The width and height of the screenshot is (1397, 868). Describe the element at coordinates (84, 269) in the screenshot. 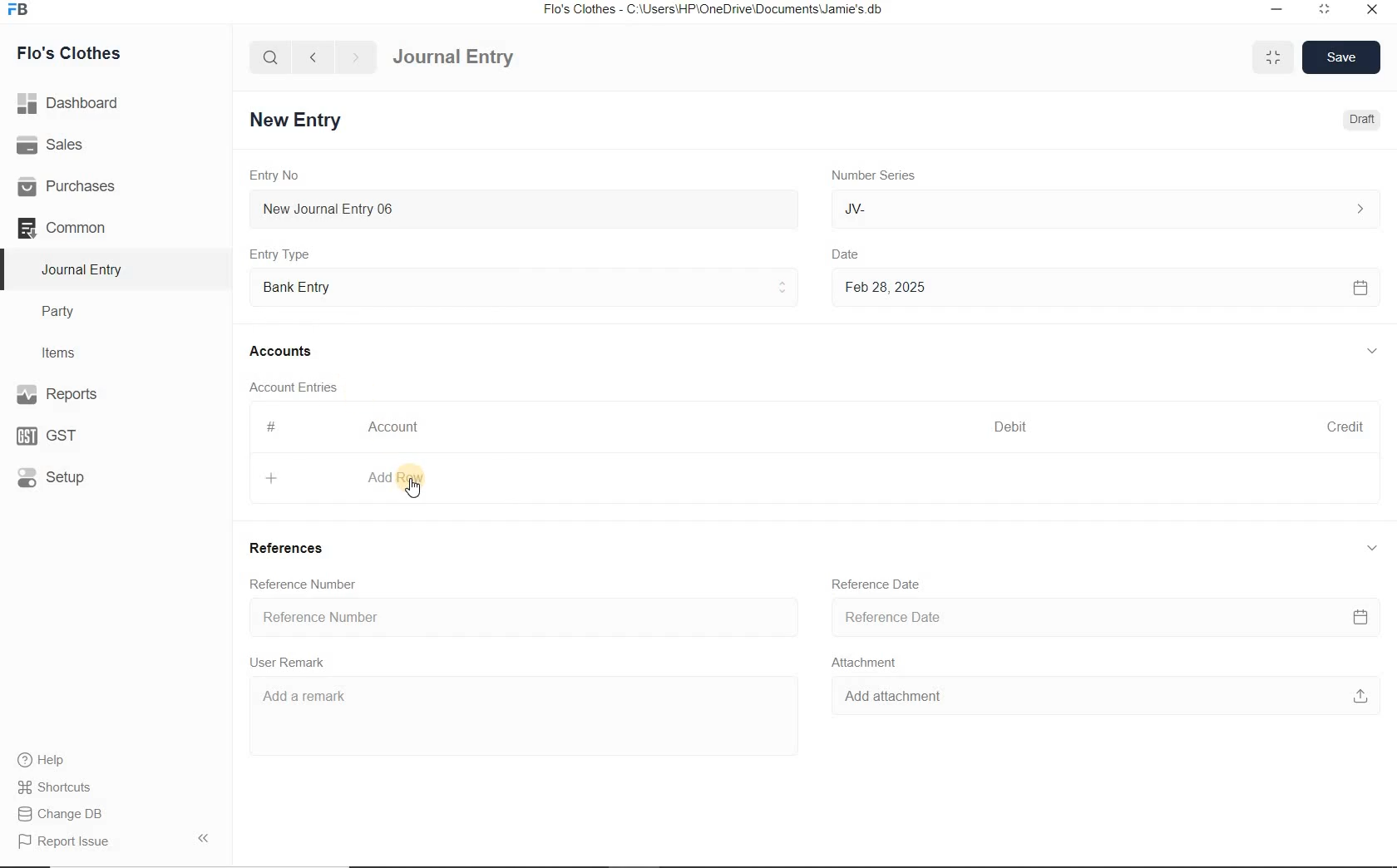

I see `Journal Entry` at that location.